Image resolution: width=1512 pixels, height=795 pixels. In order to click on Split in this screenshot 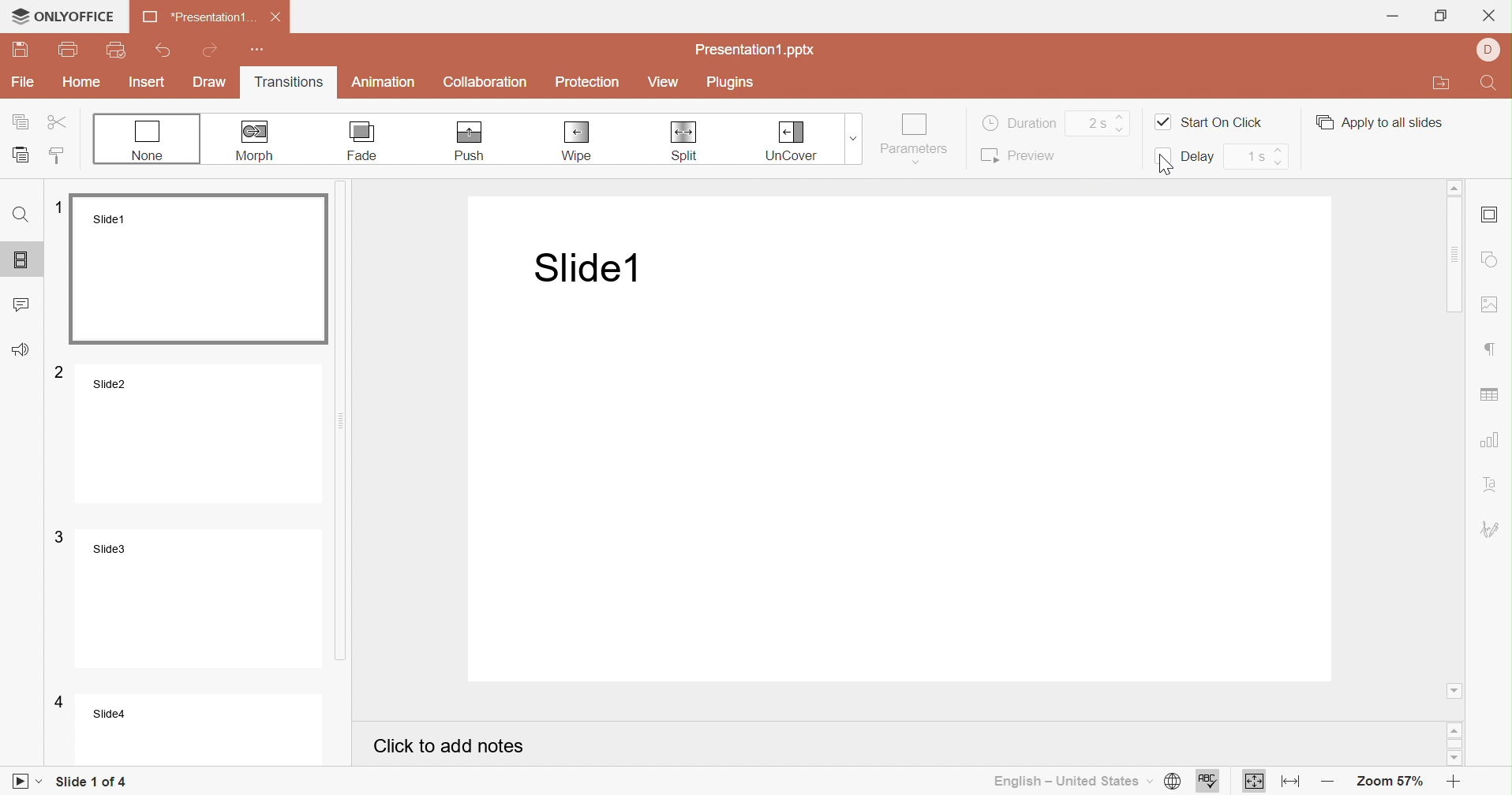, I will do `click(683, 141)`.